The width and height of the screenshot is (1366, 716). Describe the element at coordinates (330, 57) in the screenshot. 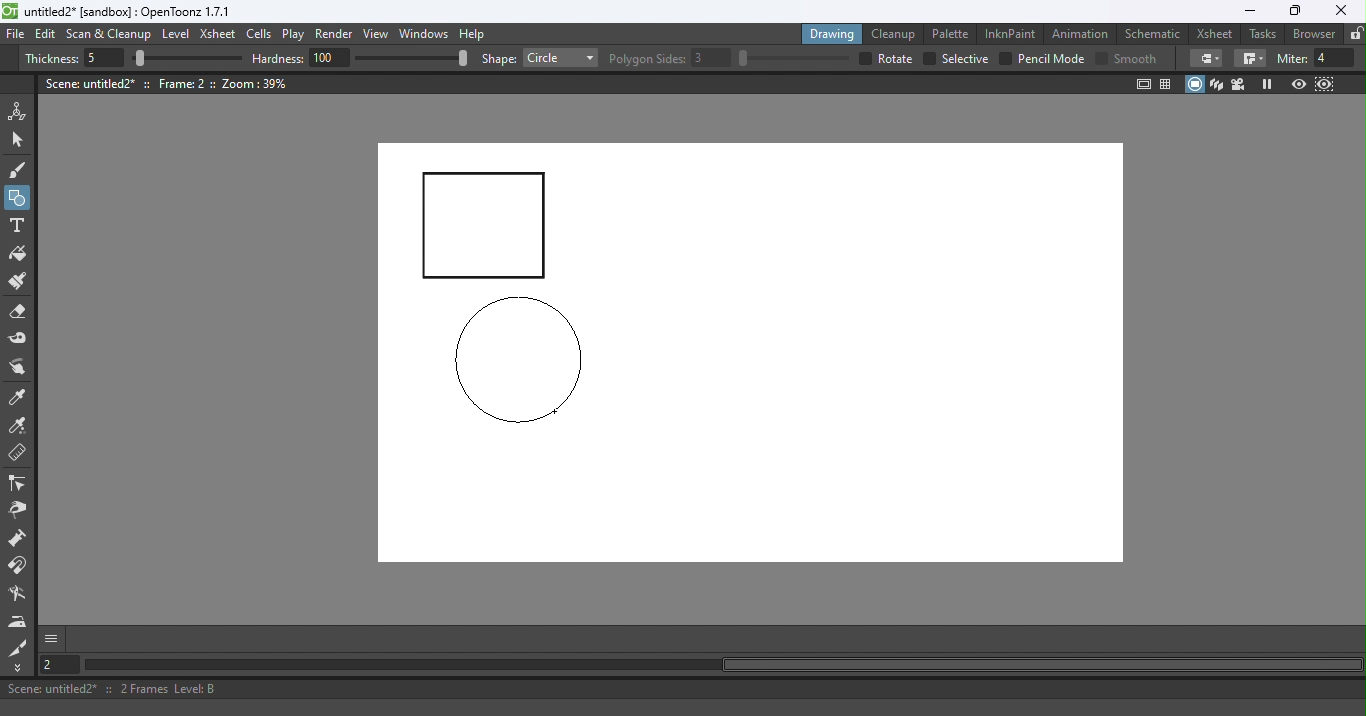

I see `100` at that location.